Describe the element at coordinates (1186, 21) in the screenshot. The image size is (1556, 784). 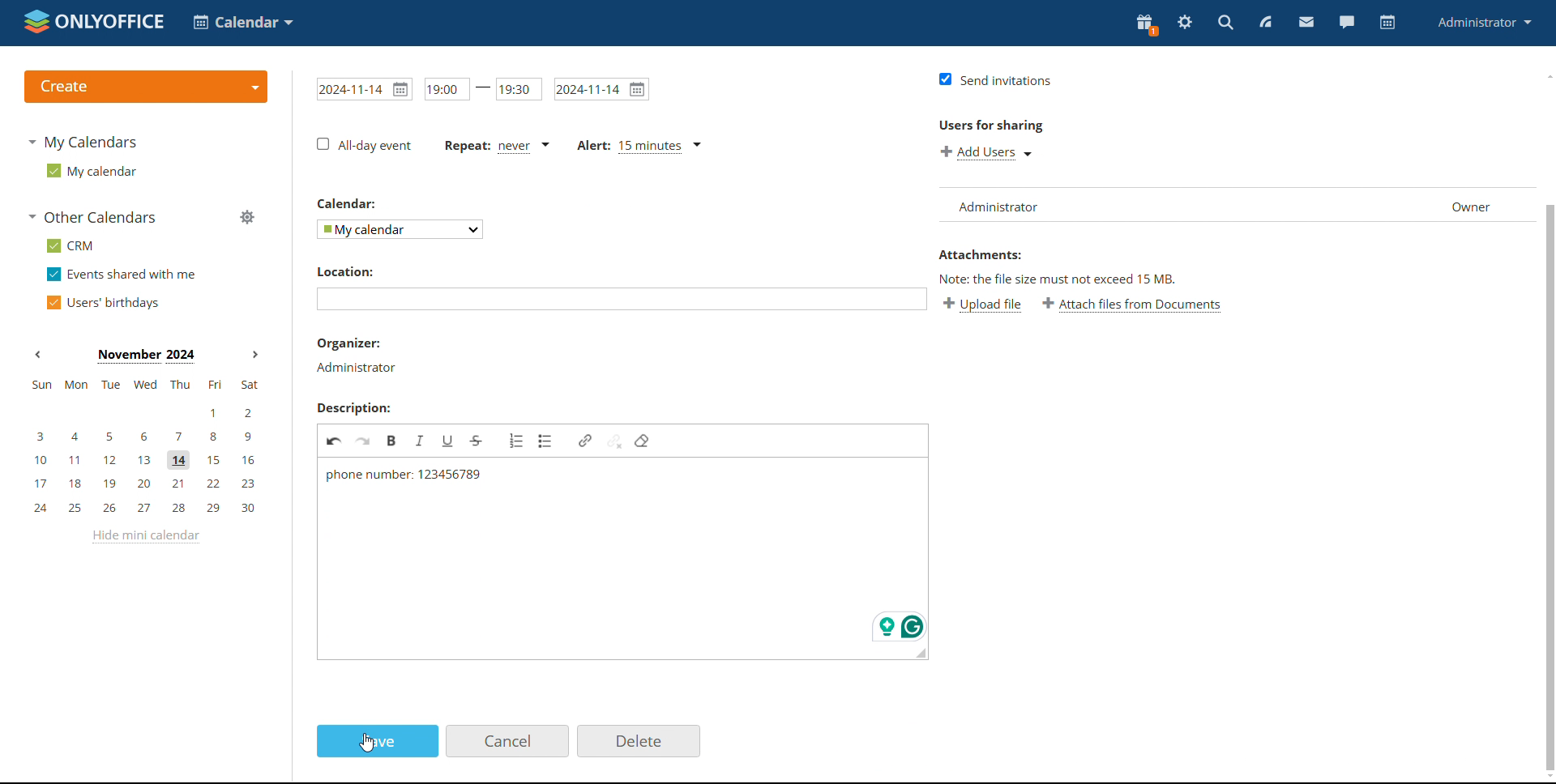
I see `settings` at that location.